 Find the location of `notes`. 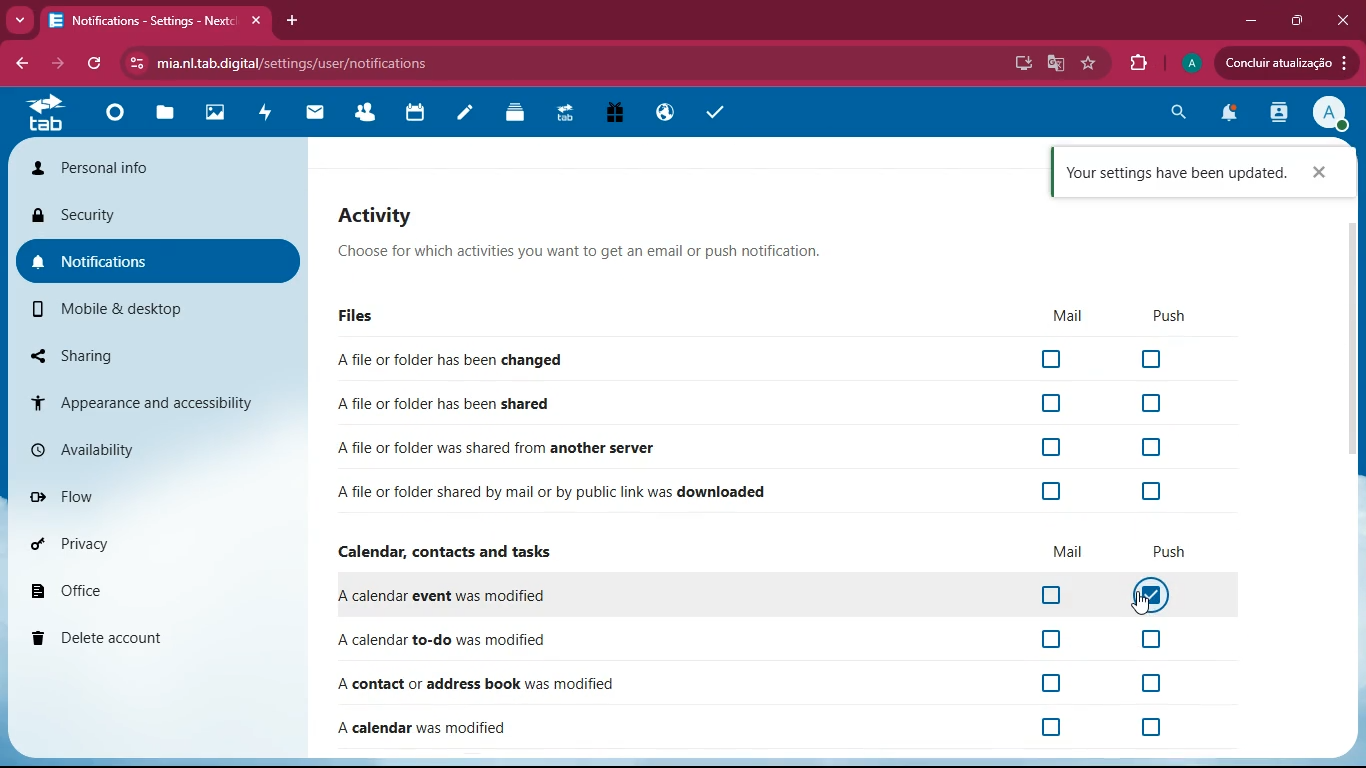

notes is located at coordinates (462, 117).